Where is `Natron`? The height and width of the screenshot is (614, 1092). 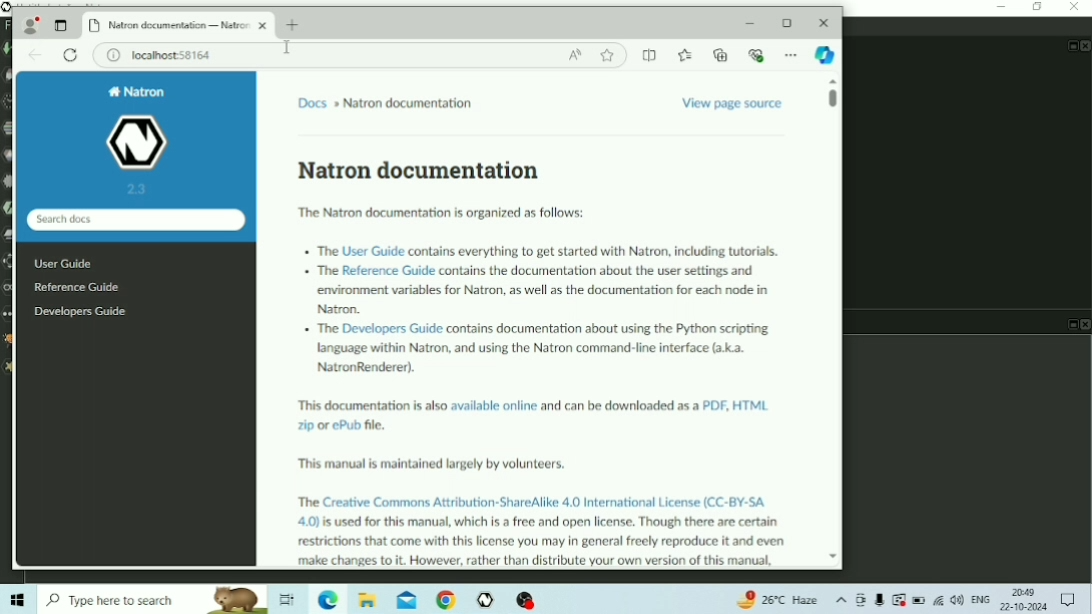
Natron is located at coordinates (139, 143).